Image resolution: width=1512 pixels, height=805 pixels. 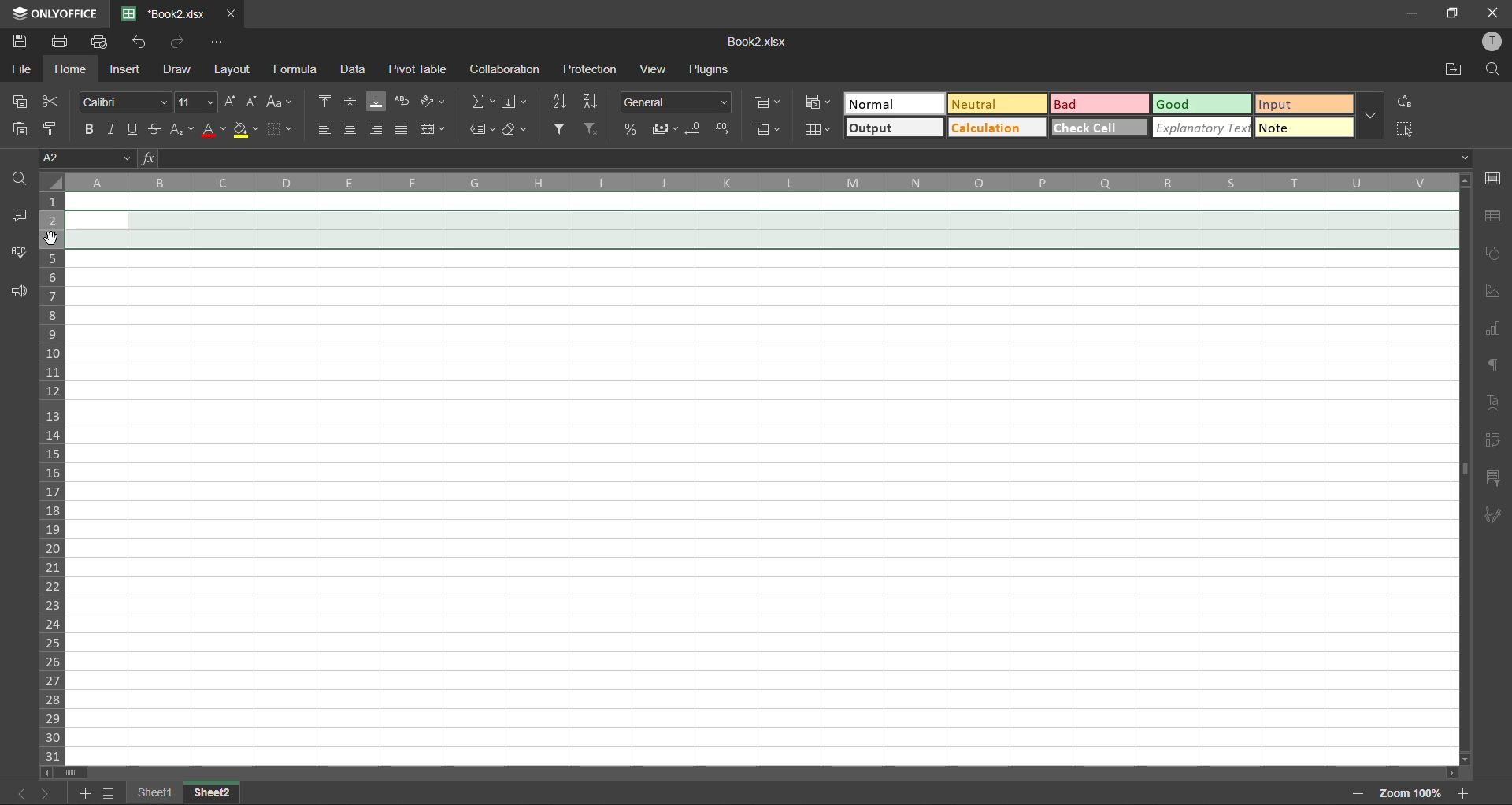 What do you see at coordinates (680, 102) in the screenshot?
I see `number format` at bounding box center [680, 102].